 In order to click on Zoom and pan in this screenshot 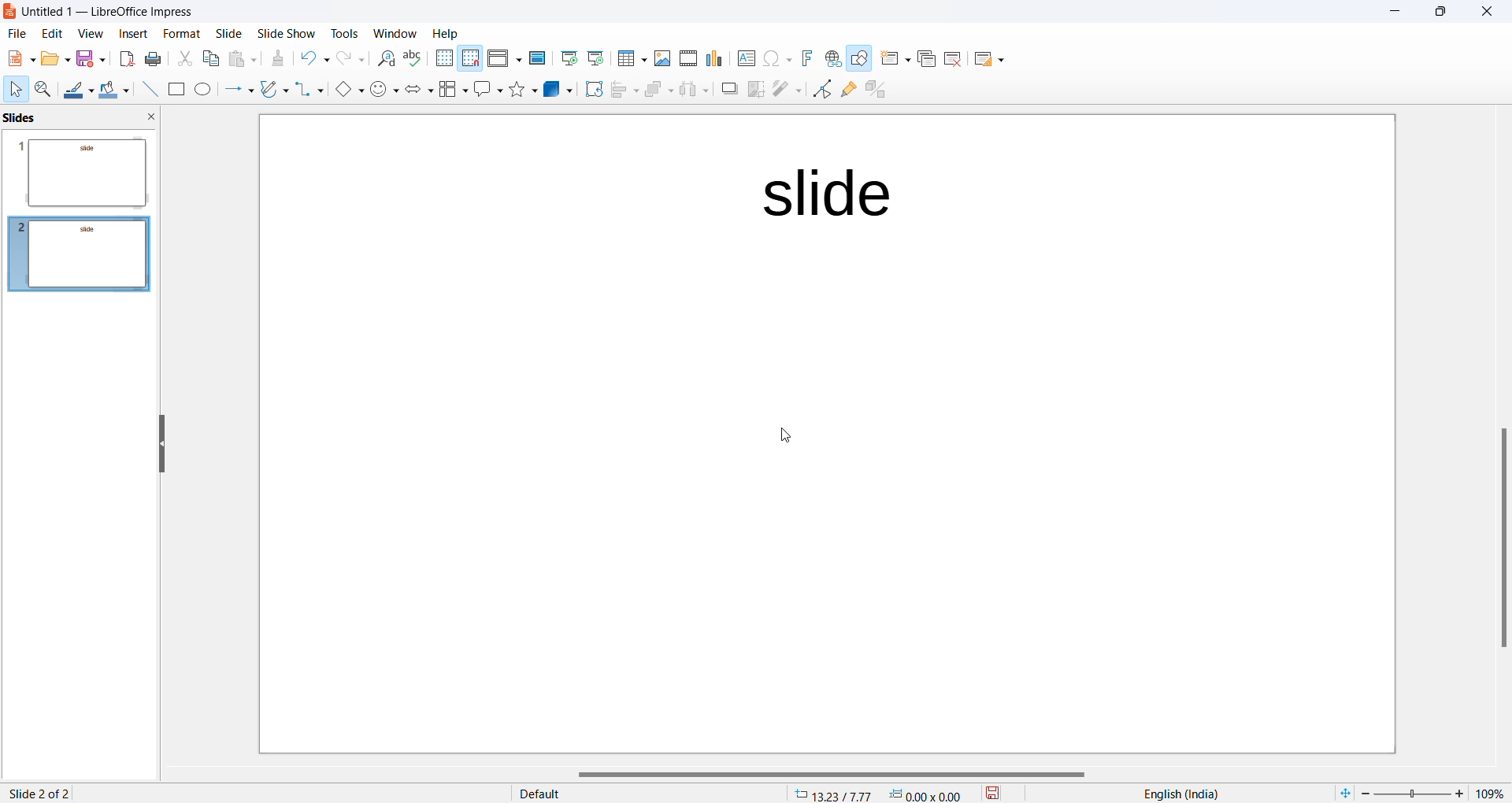, I will do `click(41, 88)`.